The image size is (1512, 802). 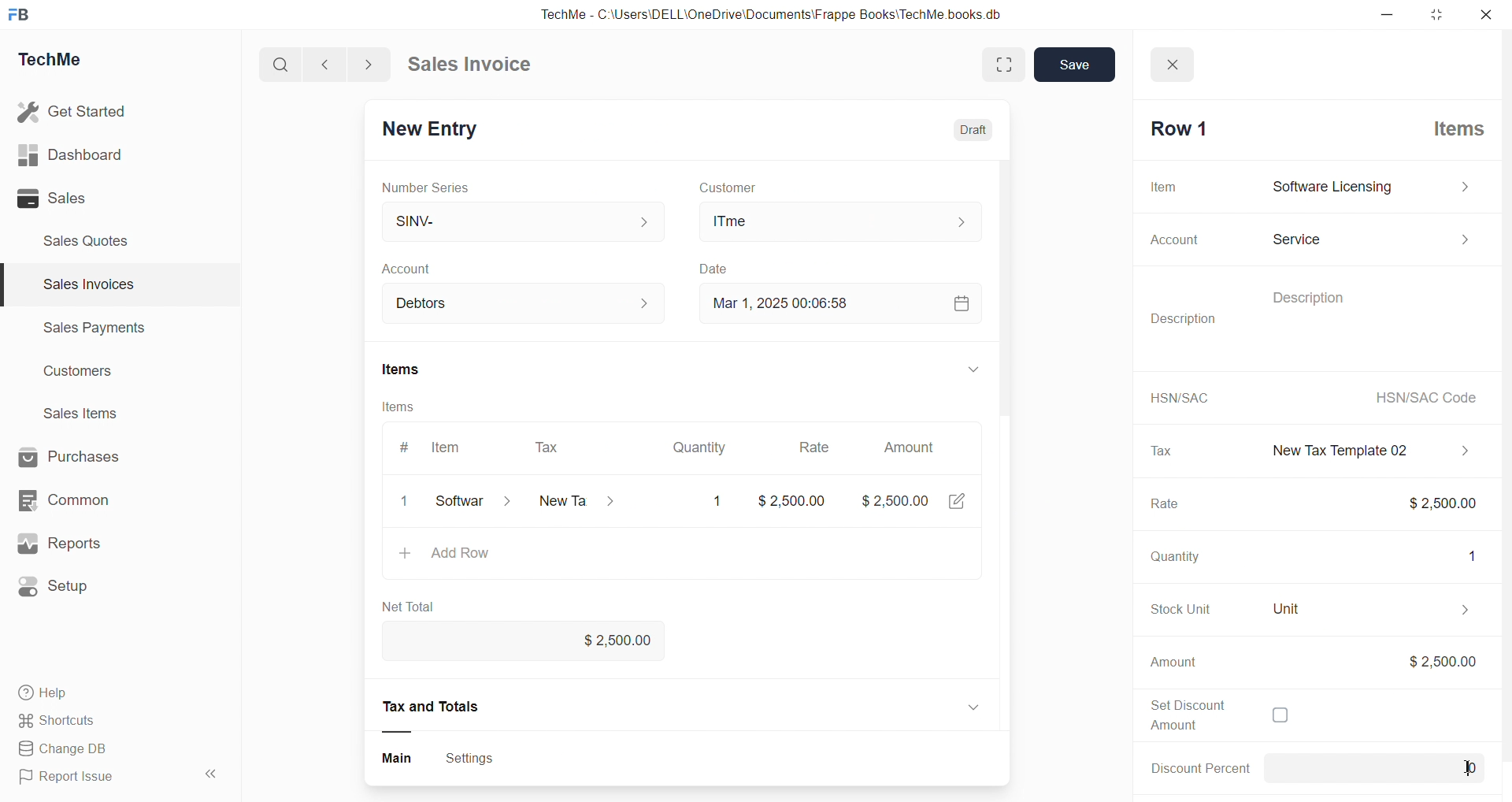 I want to click on 8 Sales, so click(x=55, y=198).